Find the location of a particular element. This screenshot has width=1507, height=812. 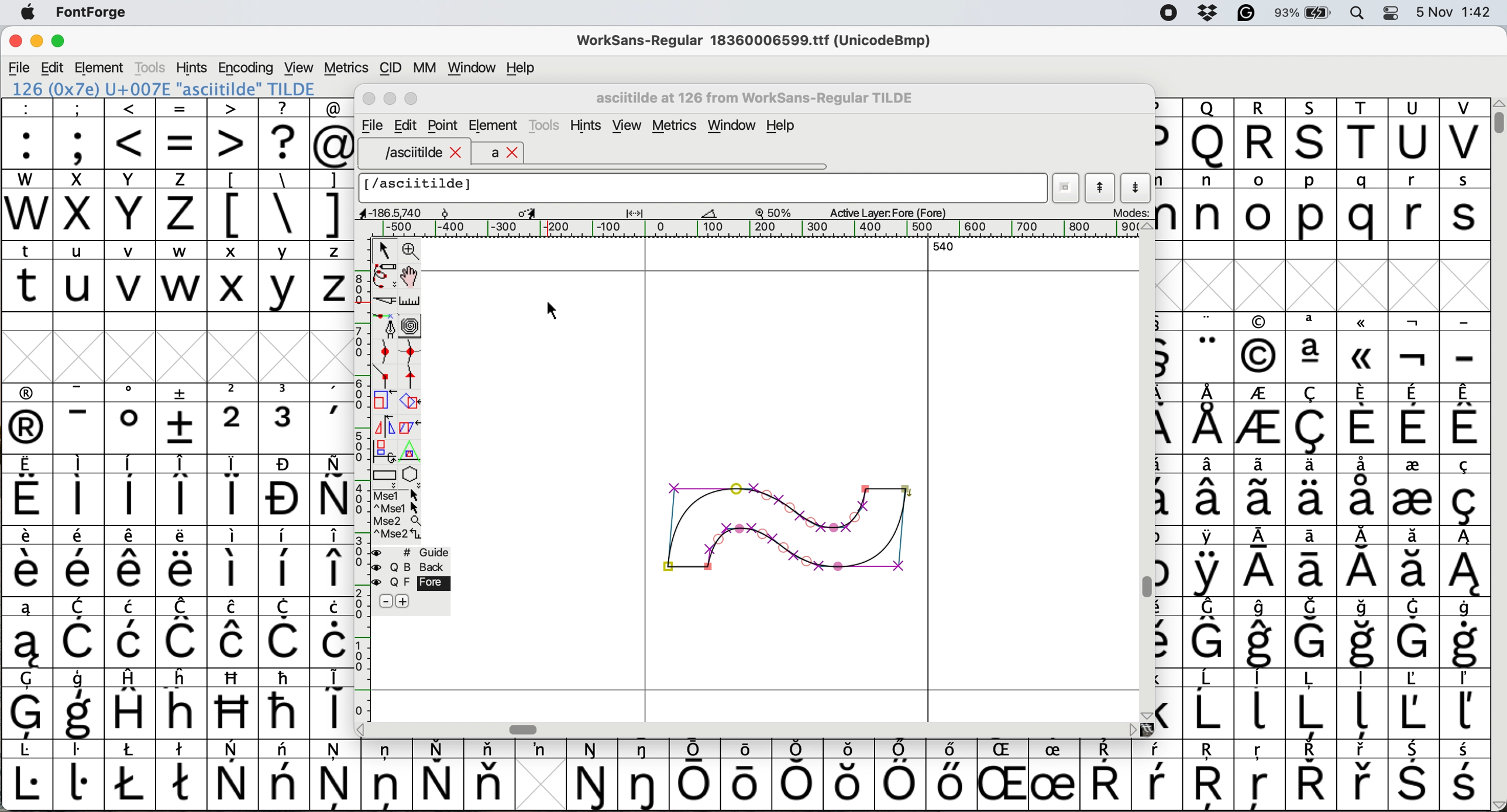

symbol is located at coordinates (1262, 633).